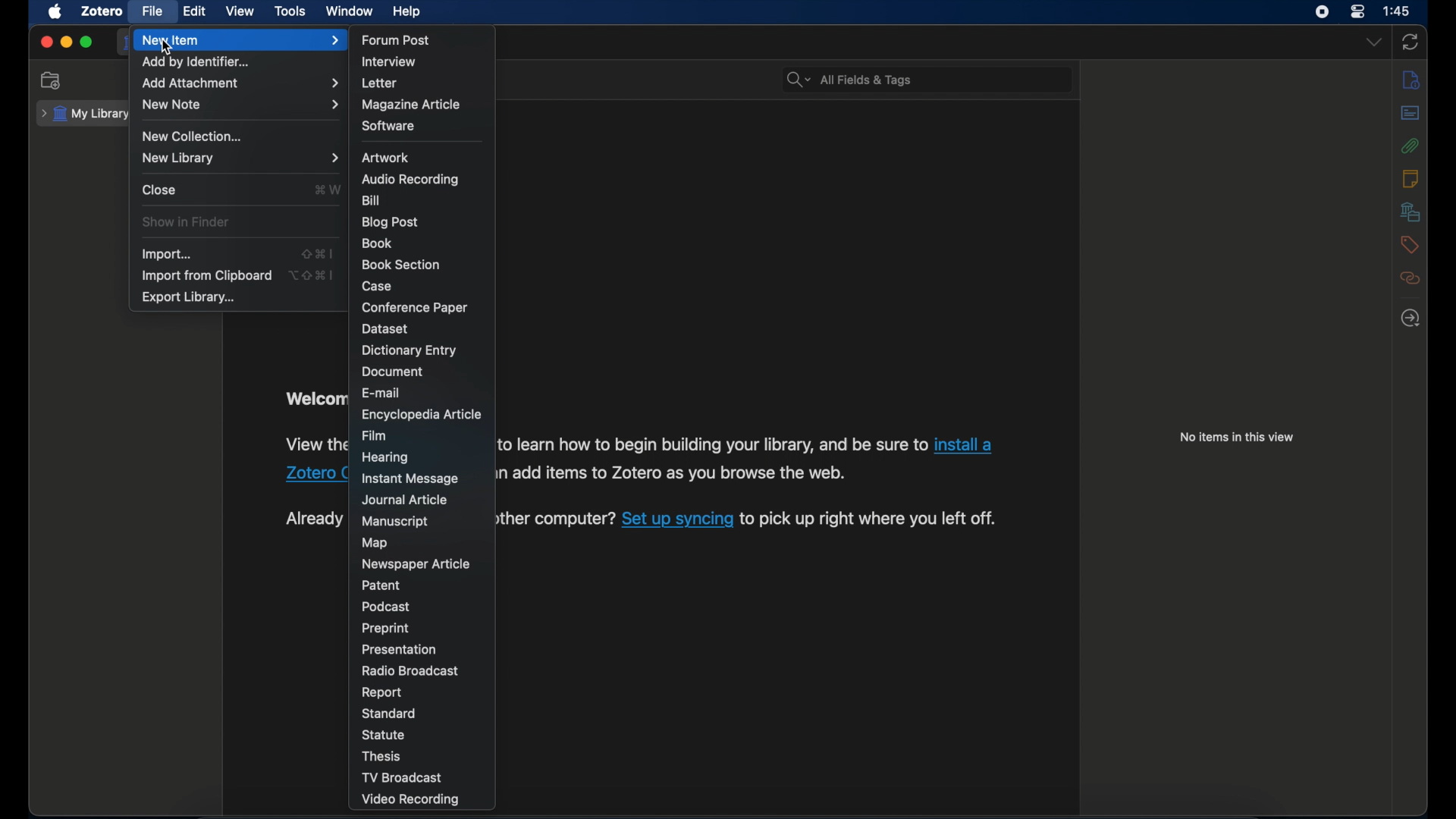 The height and width of the screenshot is (819, 1456). Describe the element at coordinates (314, 399) in the screenshot. I see `welcome` at that location.